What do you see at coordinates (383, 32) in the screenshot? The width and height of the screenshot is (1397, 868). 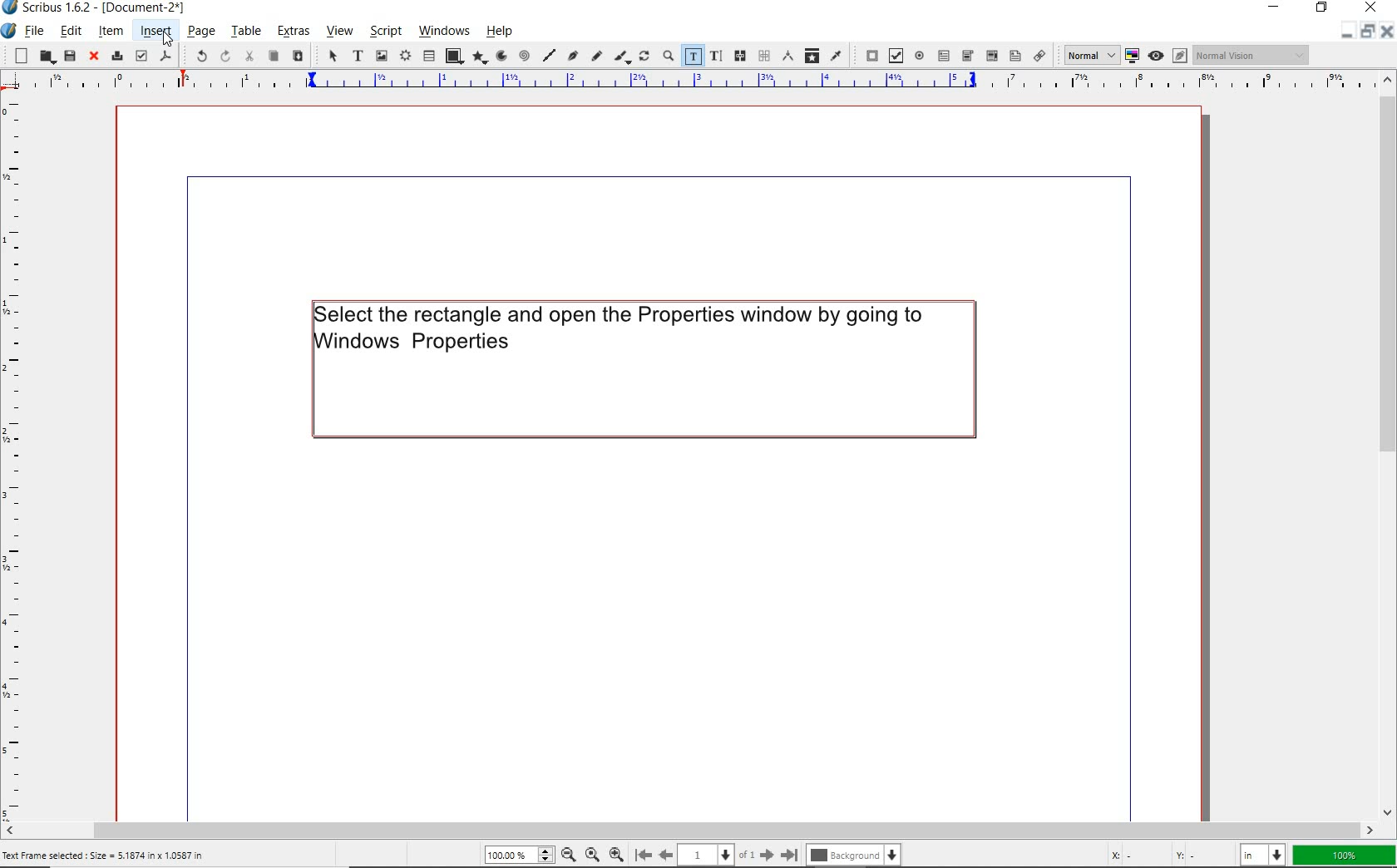 I see `script` at bounding box center [383, 32].